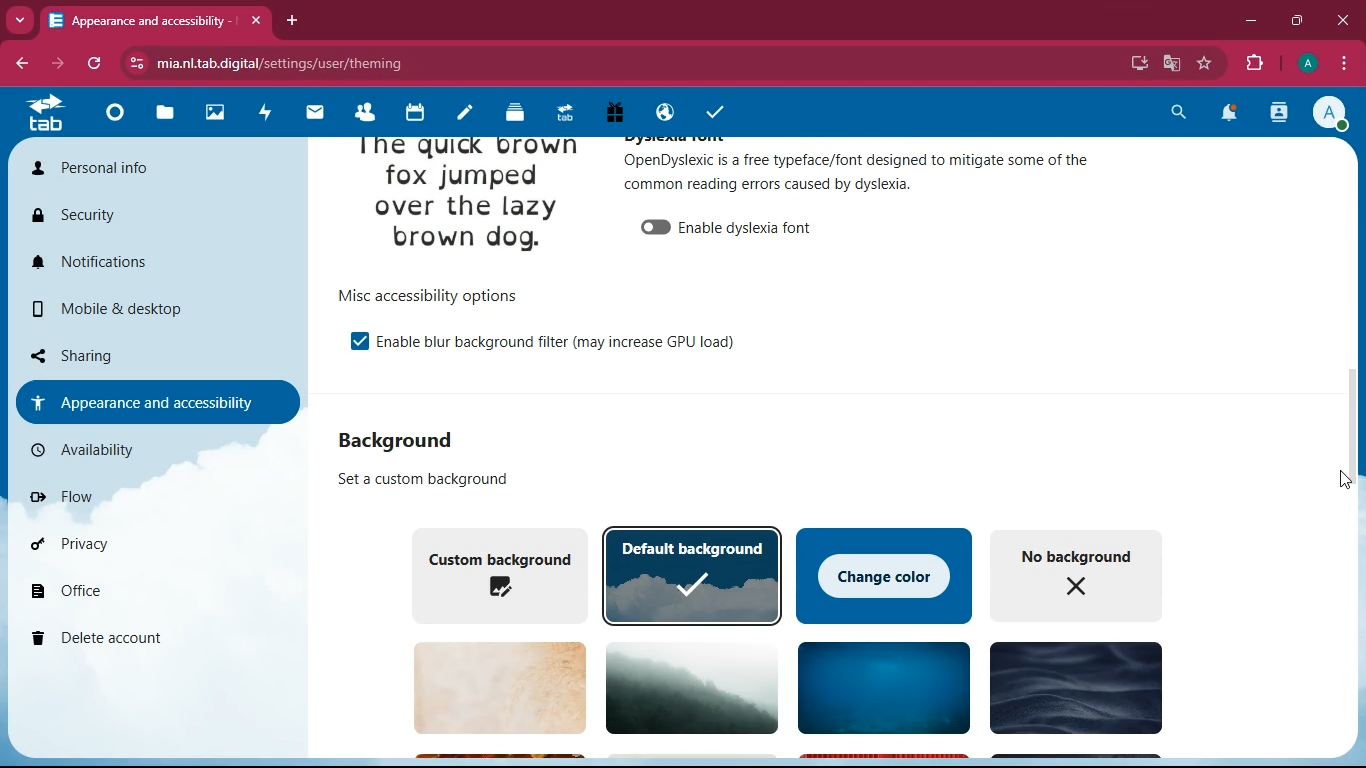  Describe the element at coordinates (313, 114) in the screenshot. I see `mail` at that location.